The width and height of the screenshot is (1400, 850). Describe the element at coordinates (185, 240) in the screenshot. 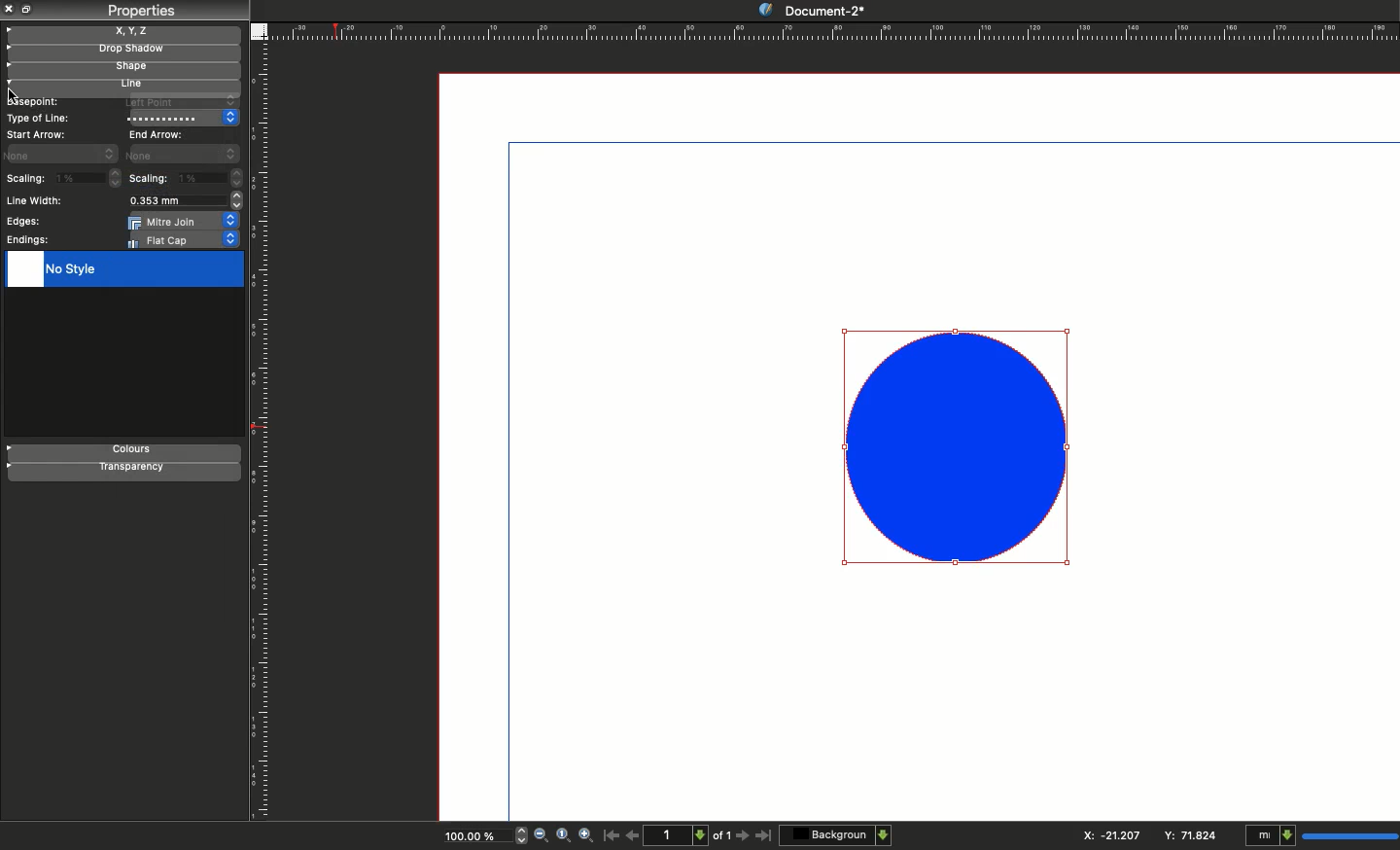

I see `Flat cap` at that location.